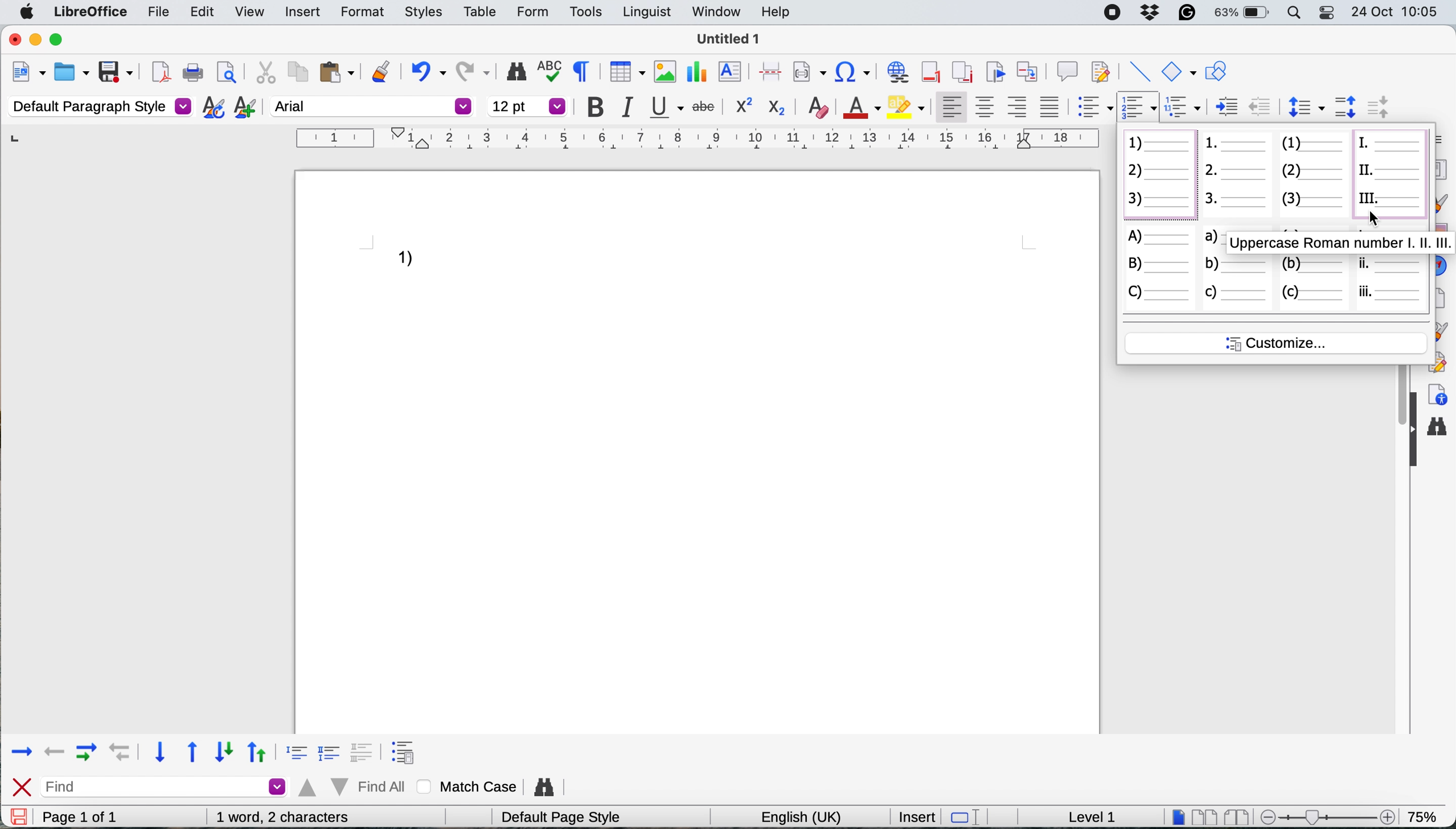 The image size is (1456, 829). I want to click on save, so click(18, 816).